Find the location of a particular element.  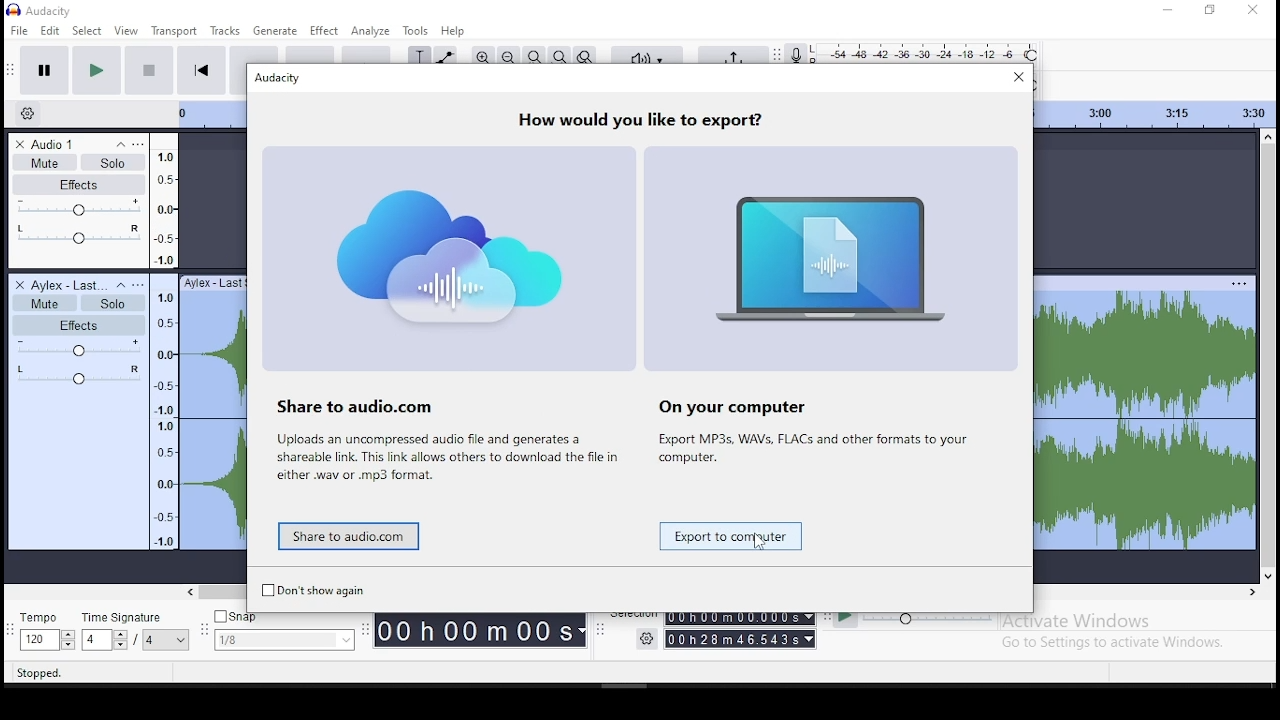

file is located at coordinates (18, 30).